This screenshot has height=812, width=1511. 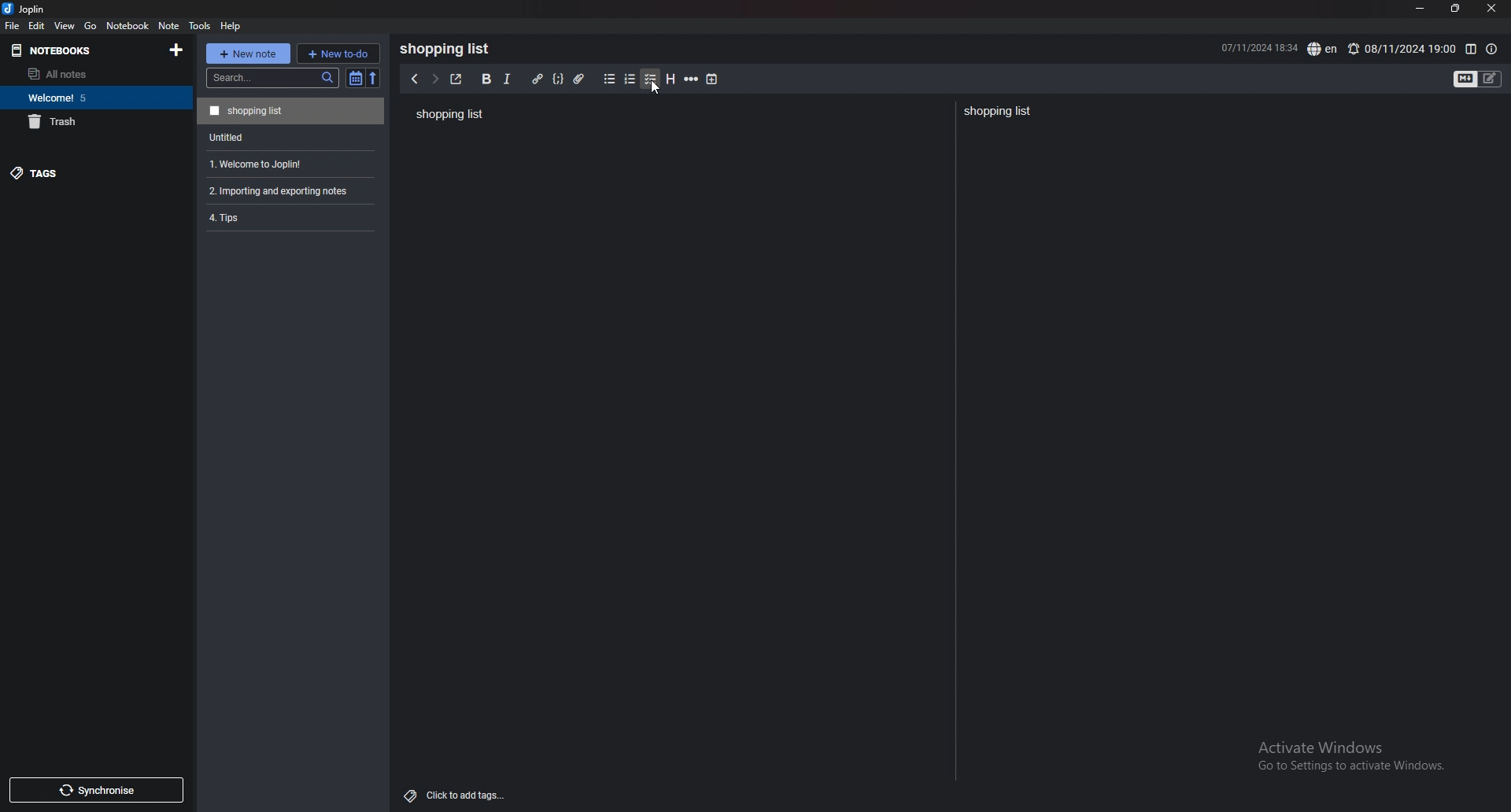 I want to click on italic, so click(x=508, y=79).